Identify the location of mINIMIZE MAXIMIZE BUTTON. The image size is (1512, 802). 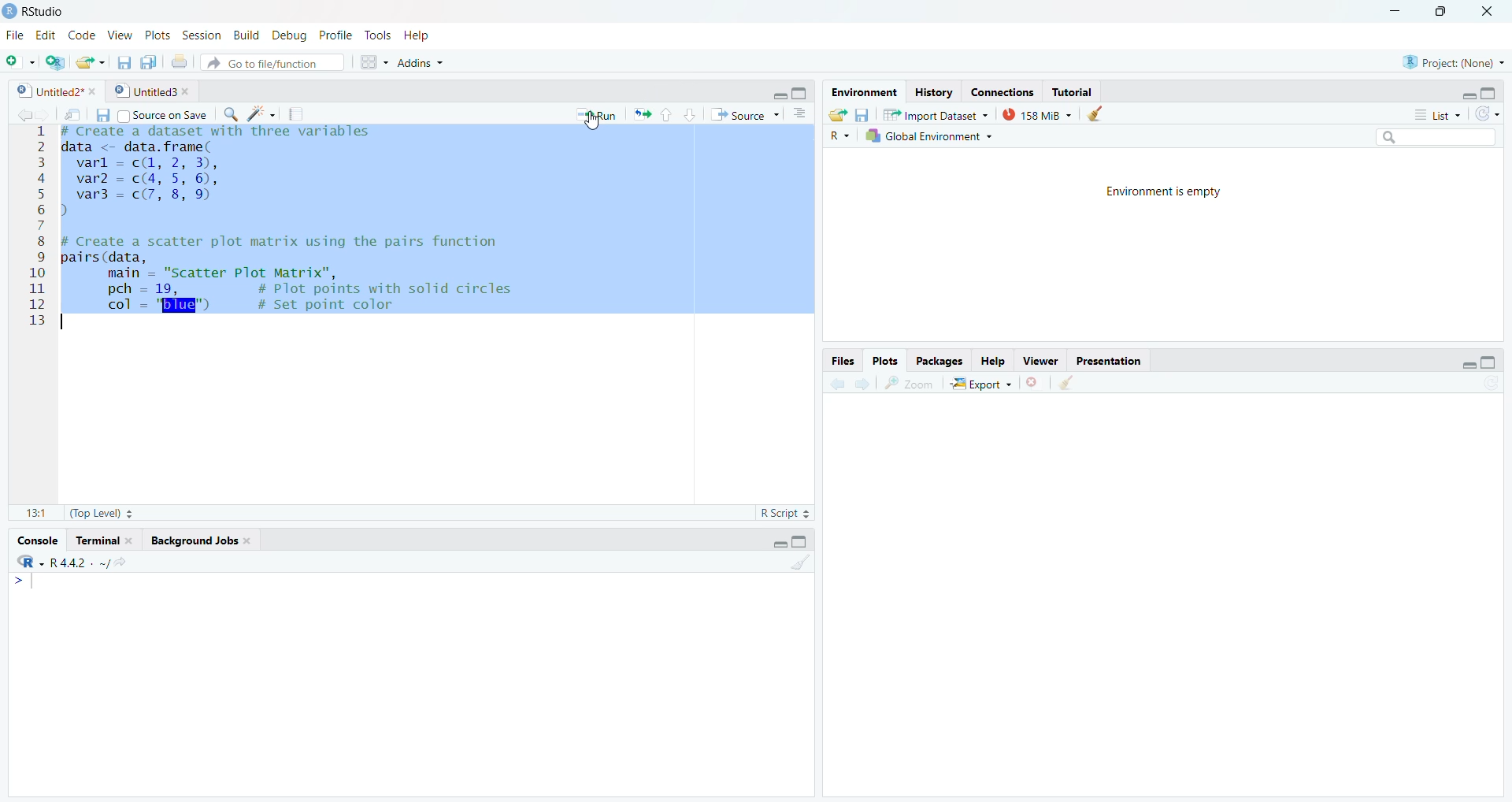
(791, 543).